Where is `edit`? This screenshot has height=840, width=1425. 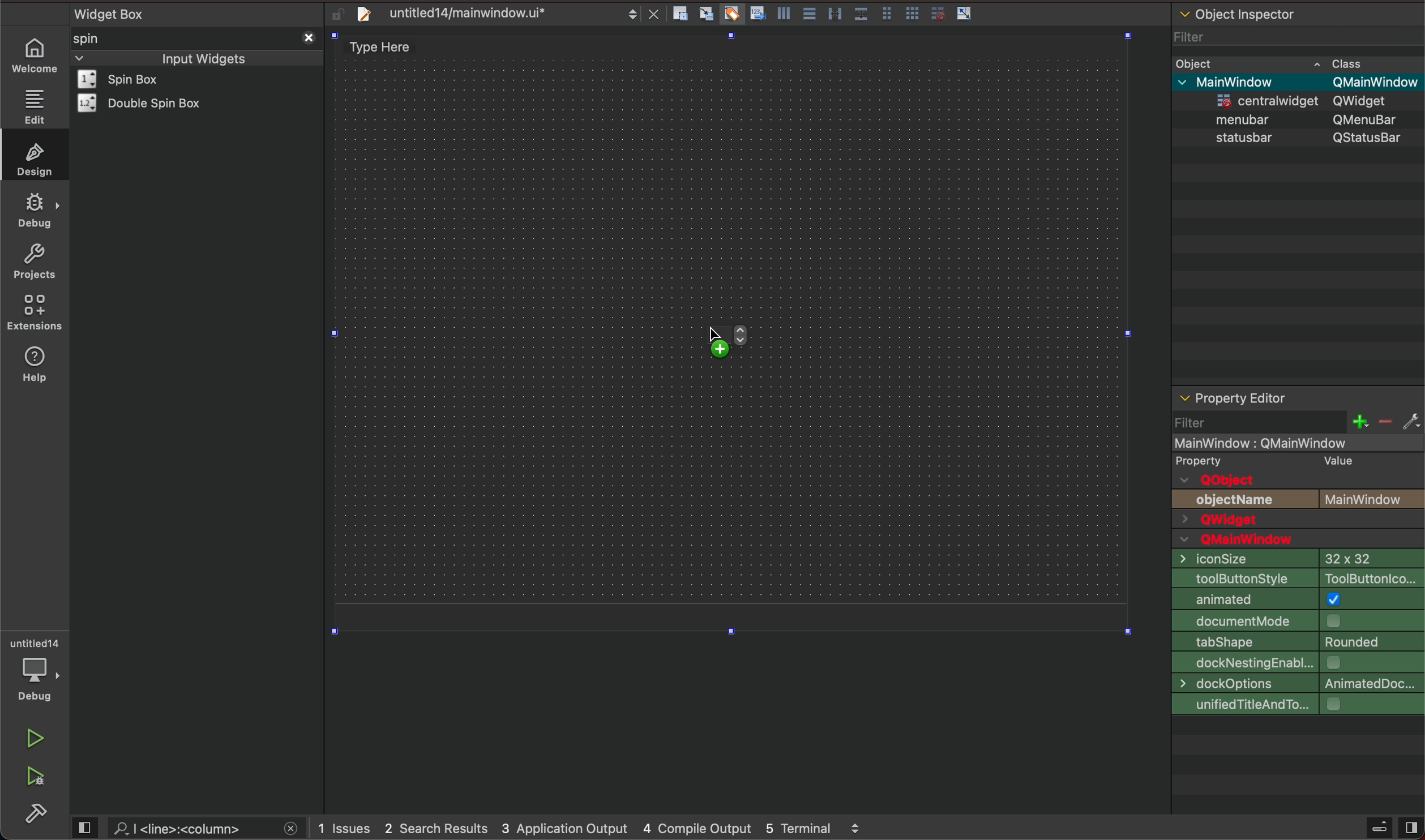 edit is located at coordinates (33, 106).